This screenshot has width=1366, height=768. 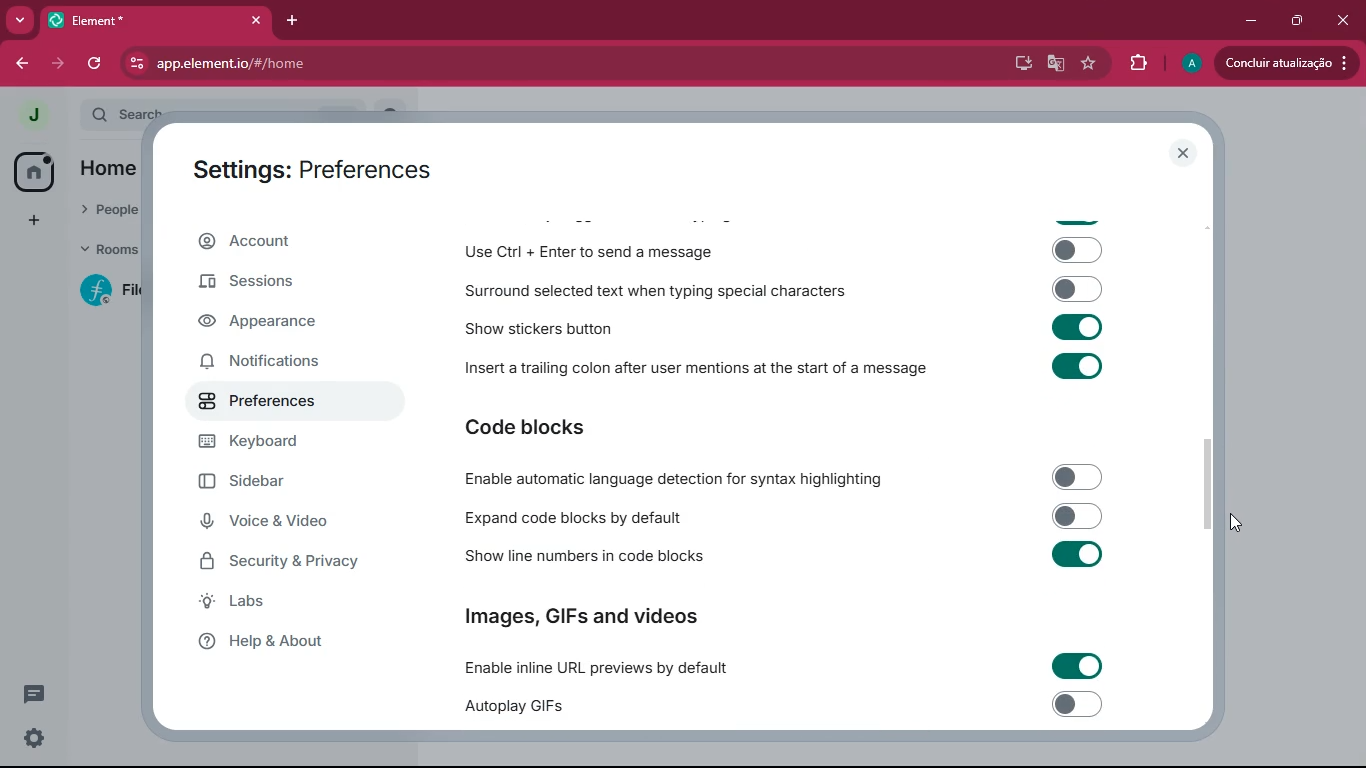 I want to click on Show line numbers in code blocks, so click(x=781, y=558).